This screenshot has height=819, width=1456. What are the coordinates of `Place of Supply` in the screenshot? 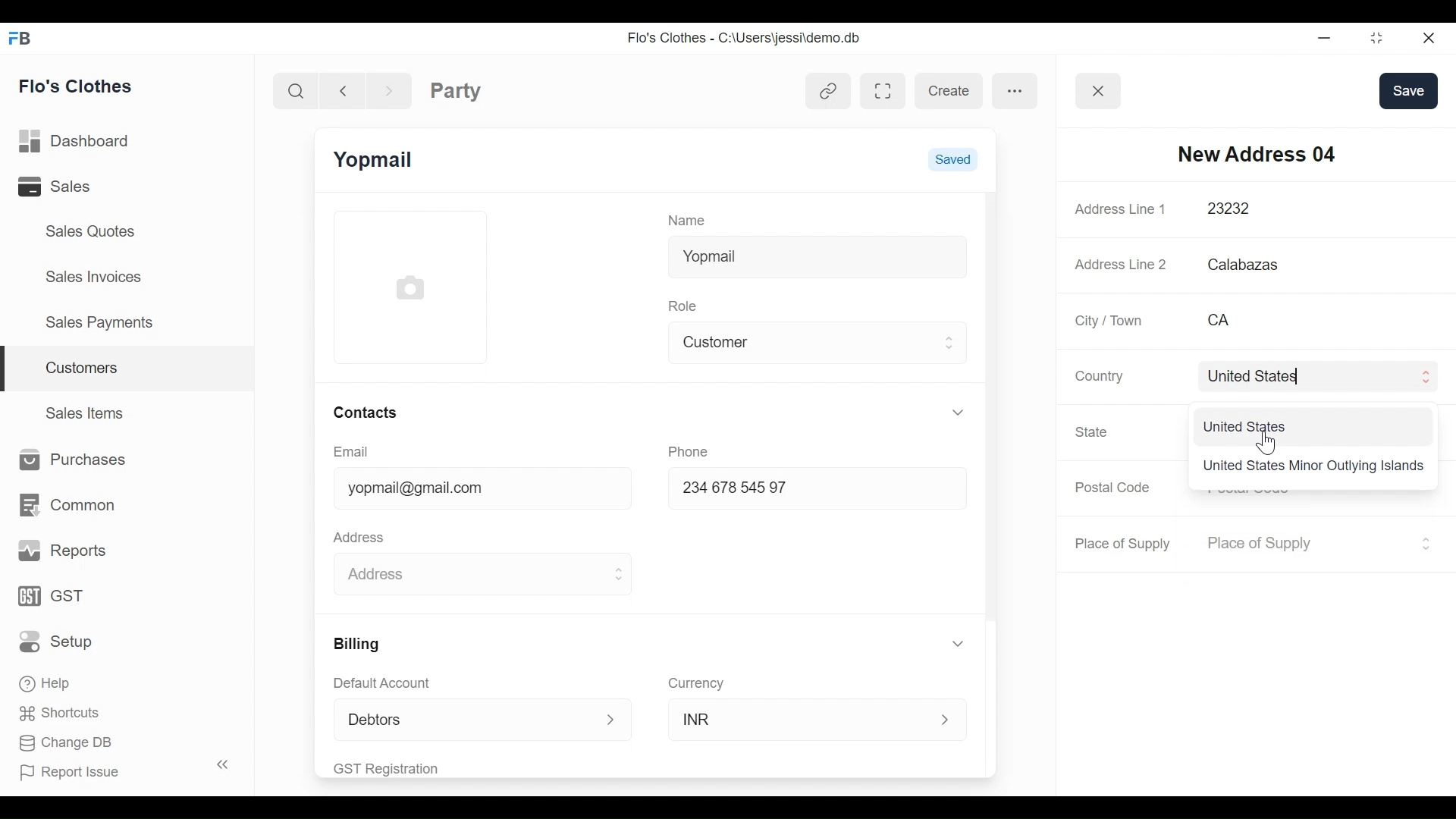 It's located at (1304, 544).